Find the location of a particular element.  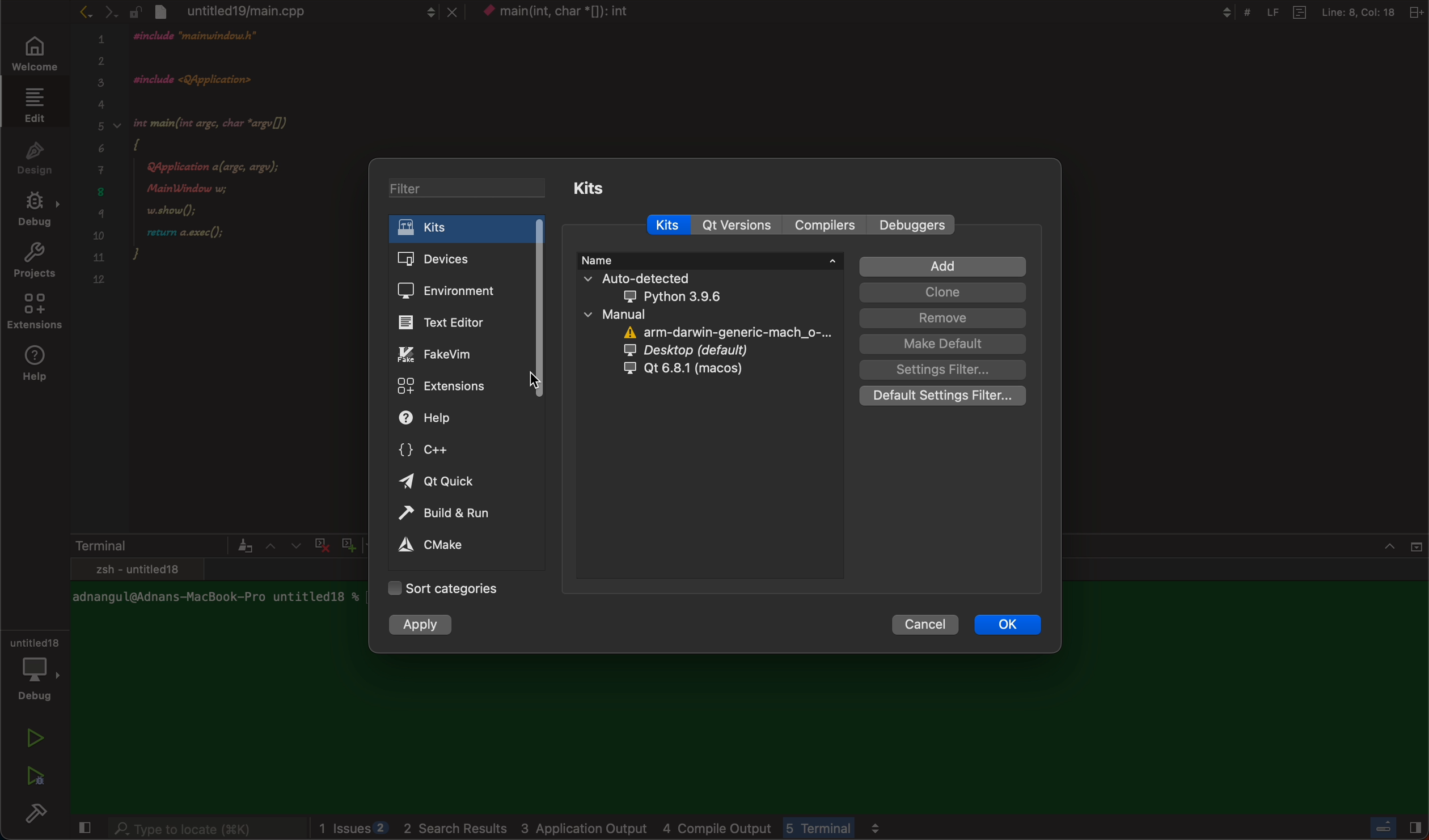

kits is located at coordinates (675, 225).